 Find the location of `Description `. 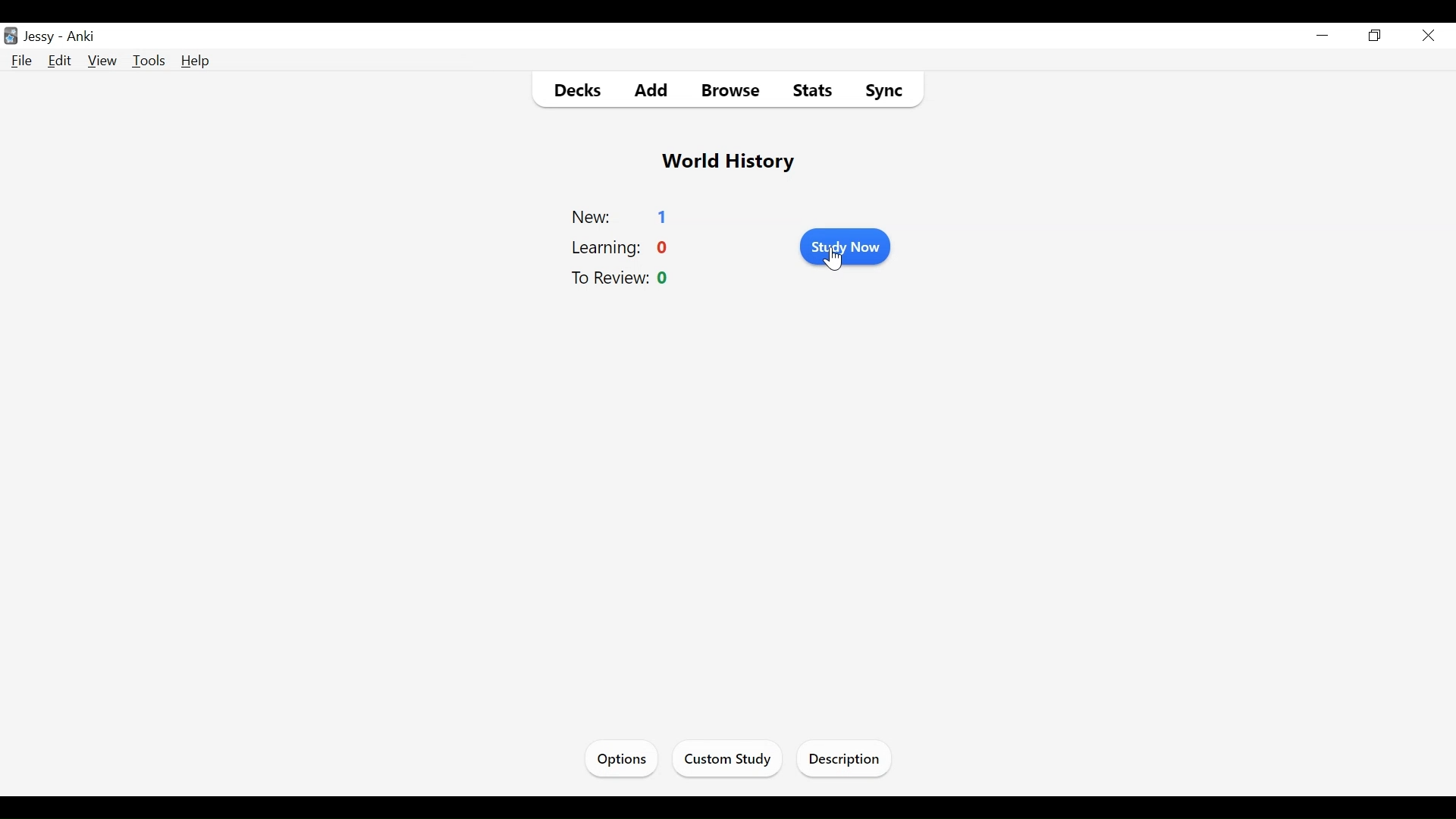

Description  is located at coordinates (845, 758).